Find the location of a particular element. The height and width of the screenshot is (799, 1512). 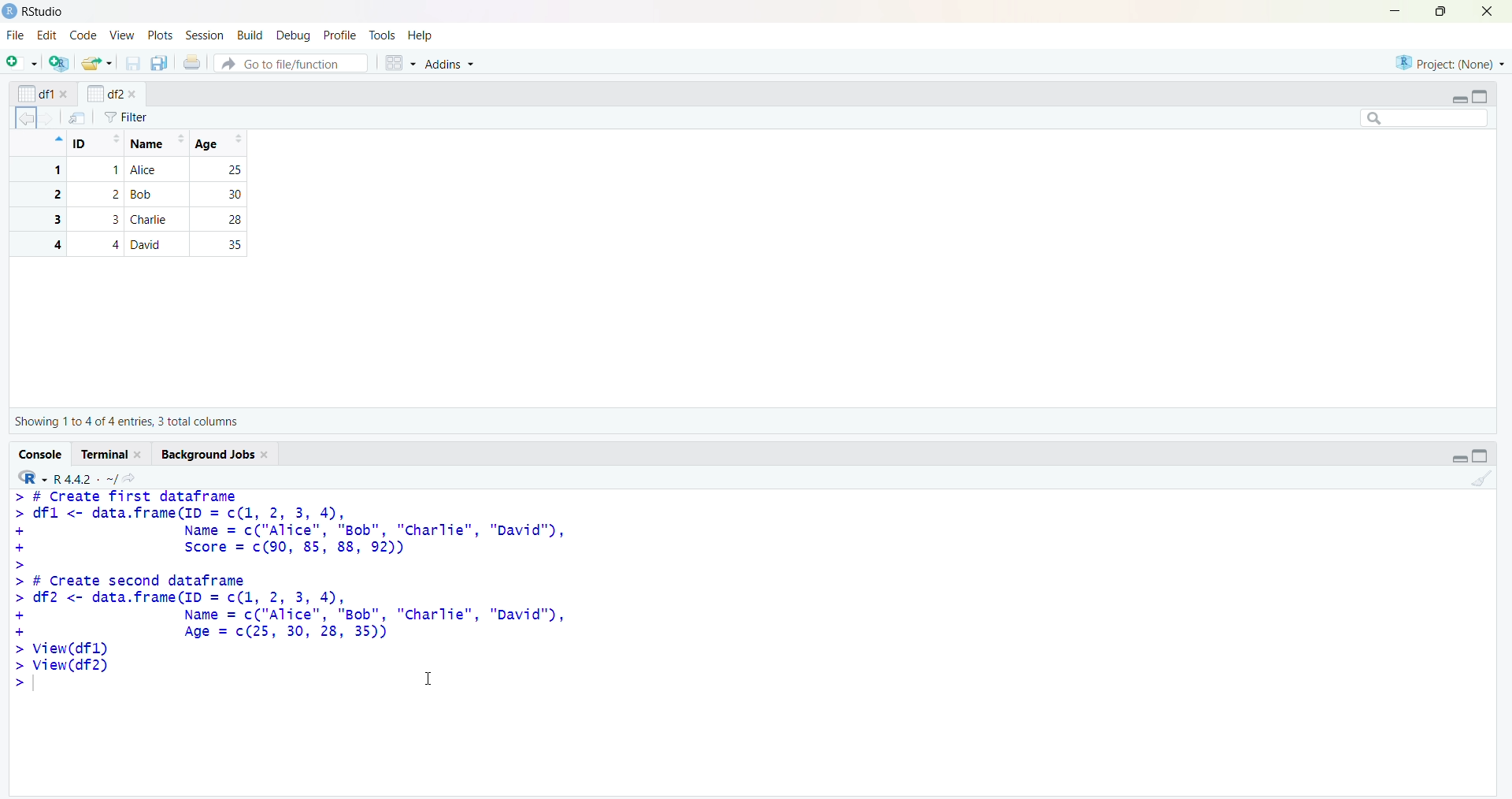

toggle full view is located at coordinates (1479, 97).